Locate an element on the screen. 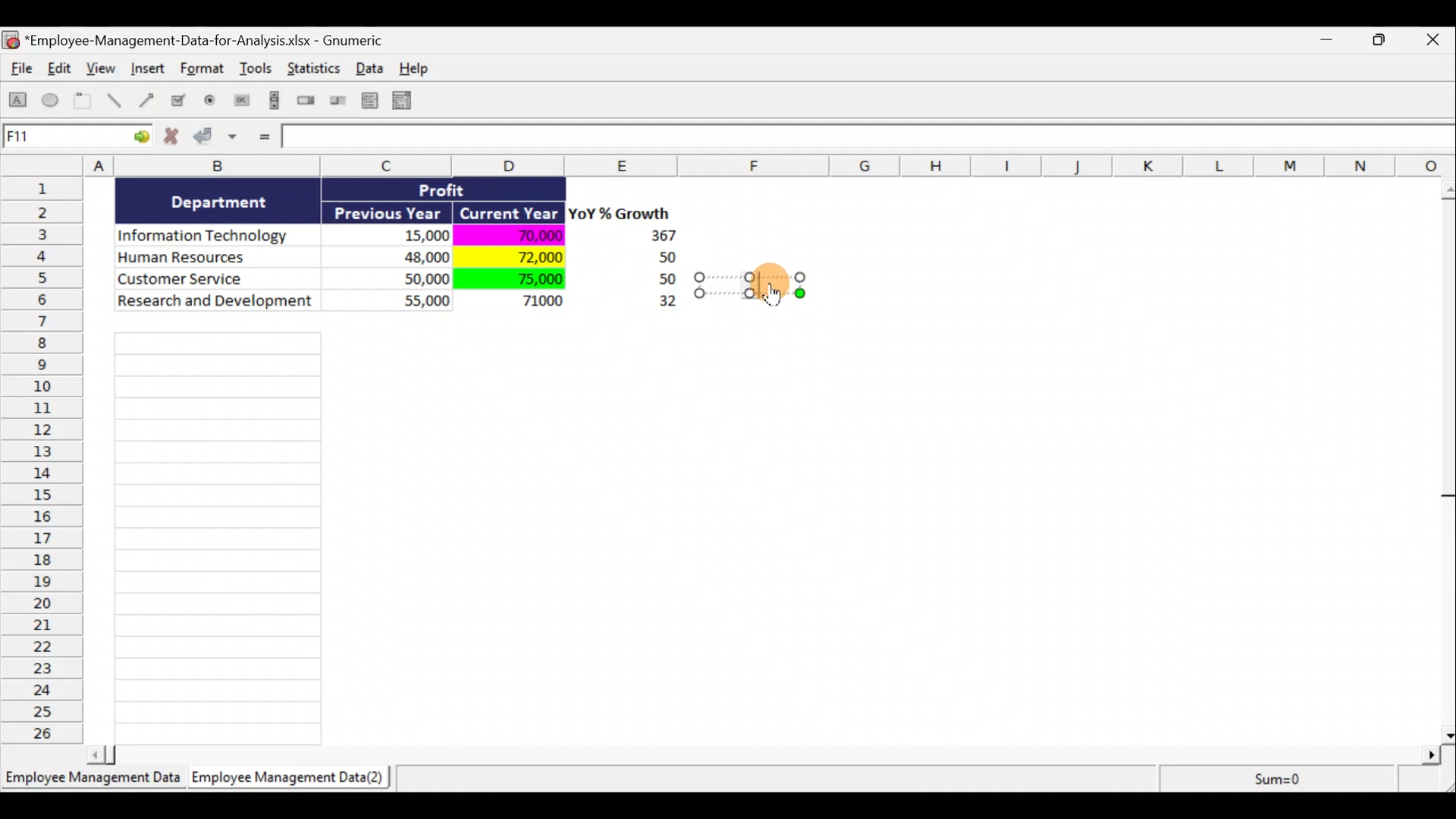 The image size is (1456, 819). Columns is located at coordinates (733, 165).